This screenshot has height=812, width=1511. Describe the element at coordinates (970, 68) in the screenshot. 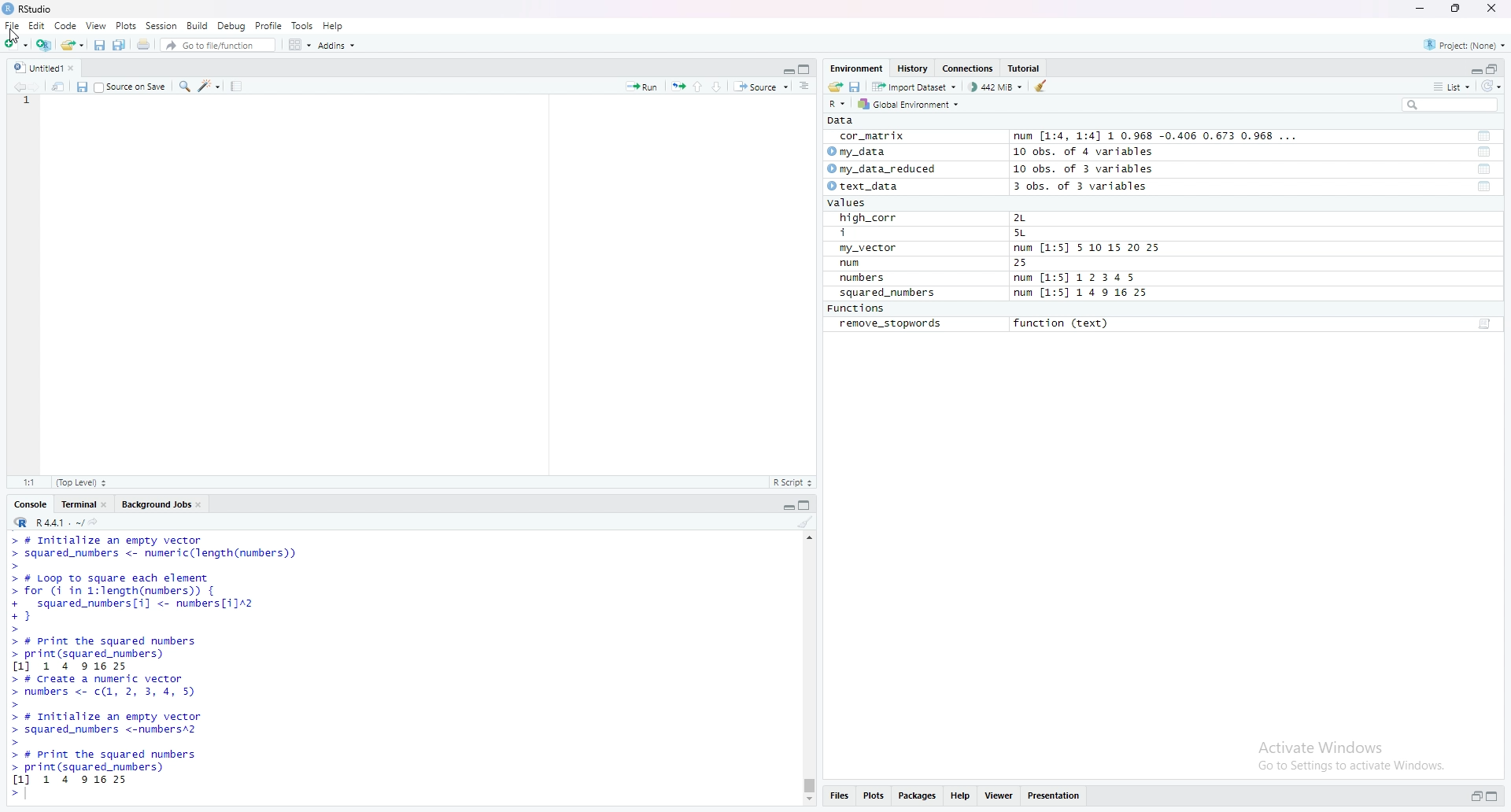

I see `Connections` at that location.